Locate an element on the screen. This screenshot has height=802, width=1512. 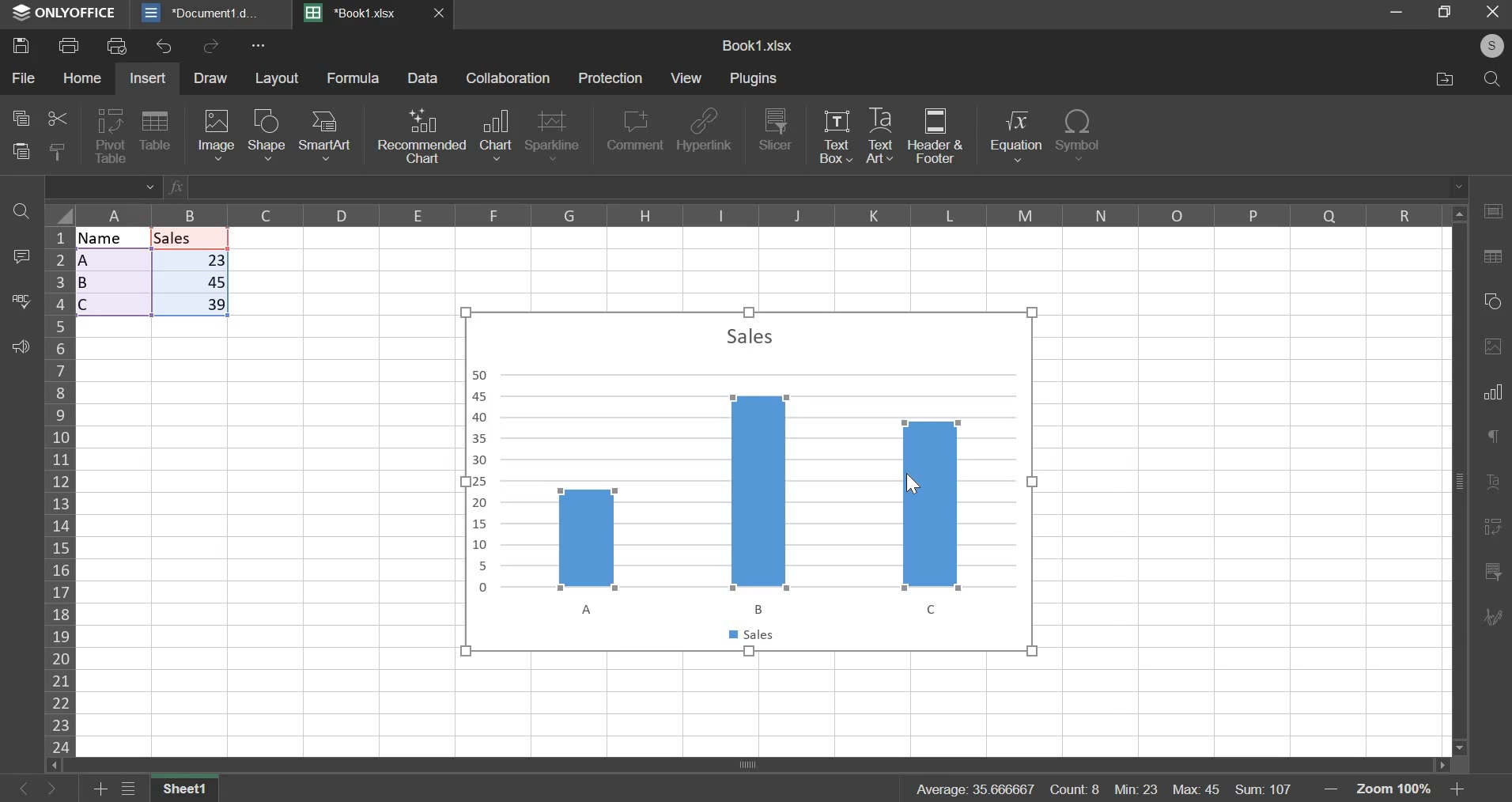
Bar/Column Chart Tool is located at coordinates (1493, 392).